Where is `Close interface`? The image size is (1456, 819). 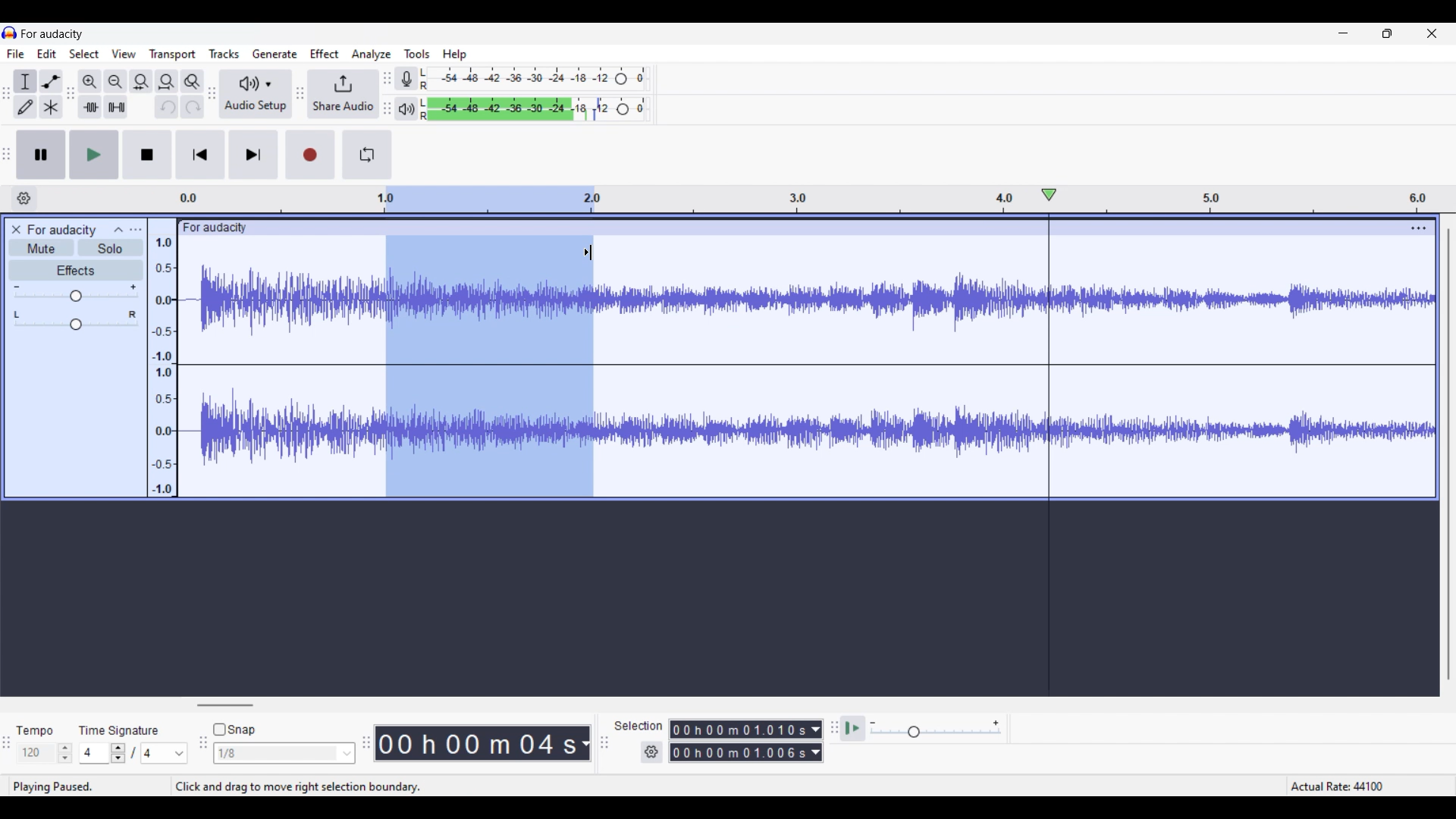
Close interface is located at coordinates (1432, 33).